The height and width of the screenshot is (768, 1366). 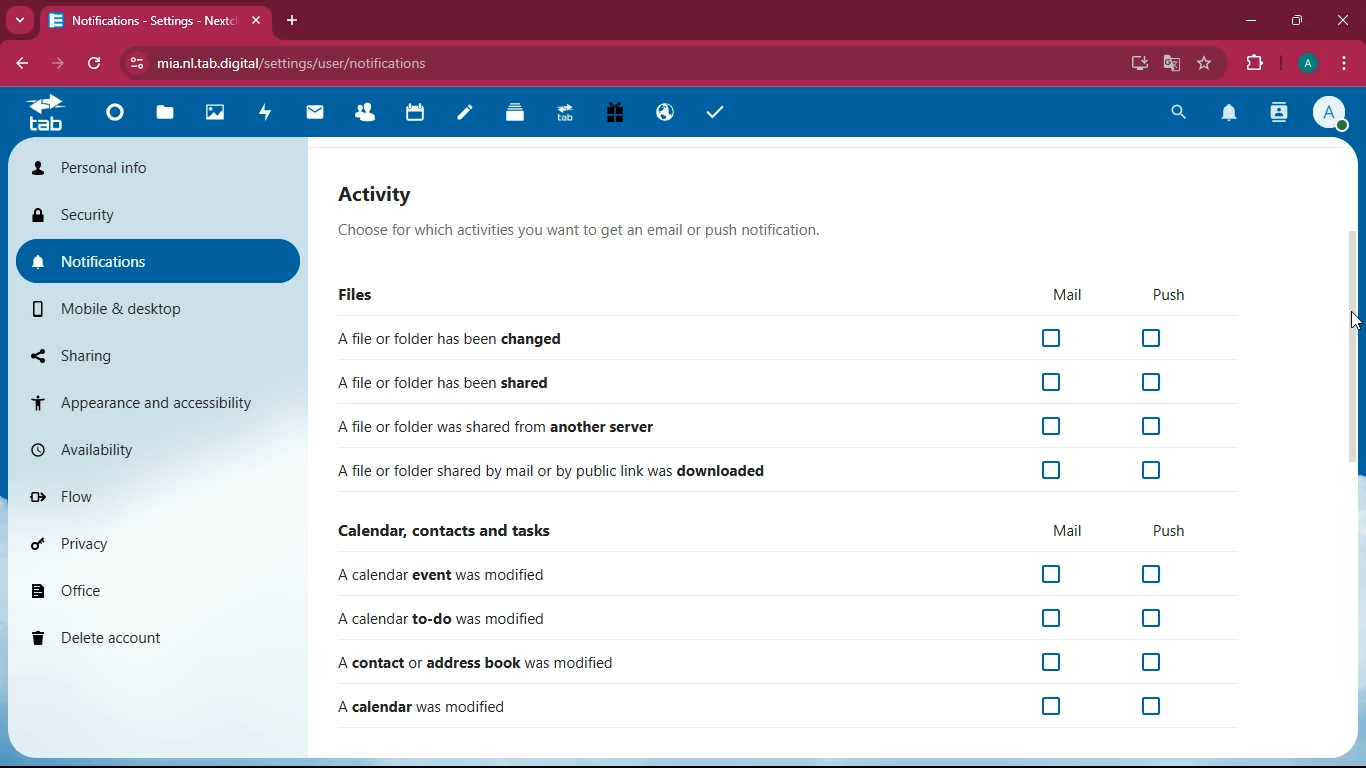 I want to click on activity, so click(x=385, y=195).